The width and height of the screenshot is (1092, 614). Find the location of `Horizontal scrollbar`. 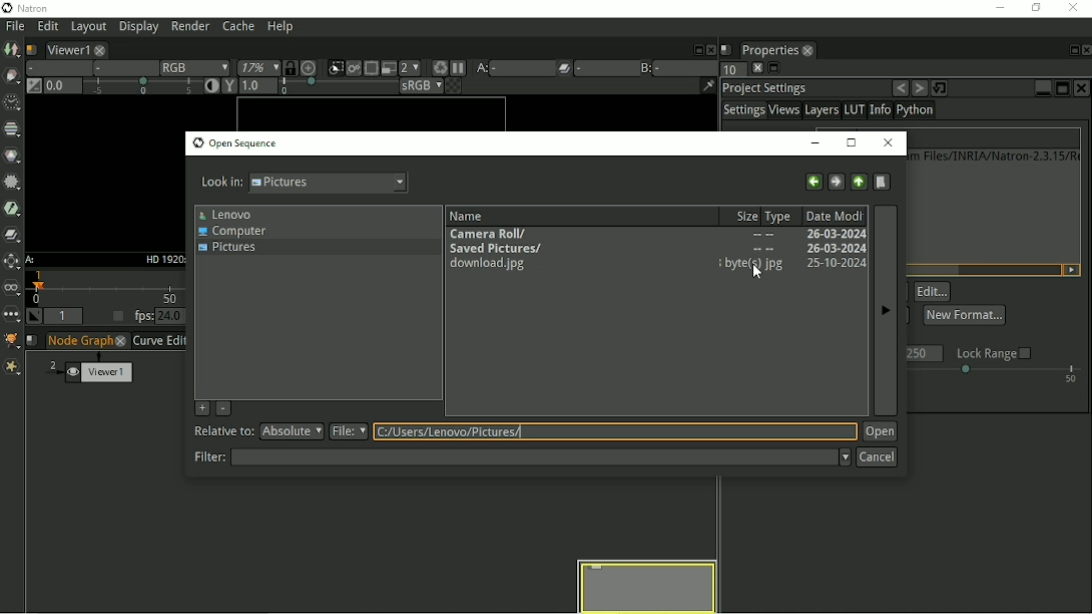

Horizontal scrollbar is located at coordinates (927, 269).